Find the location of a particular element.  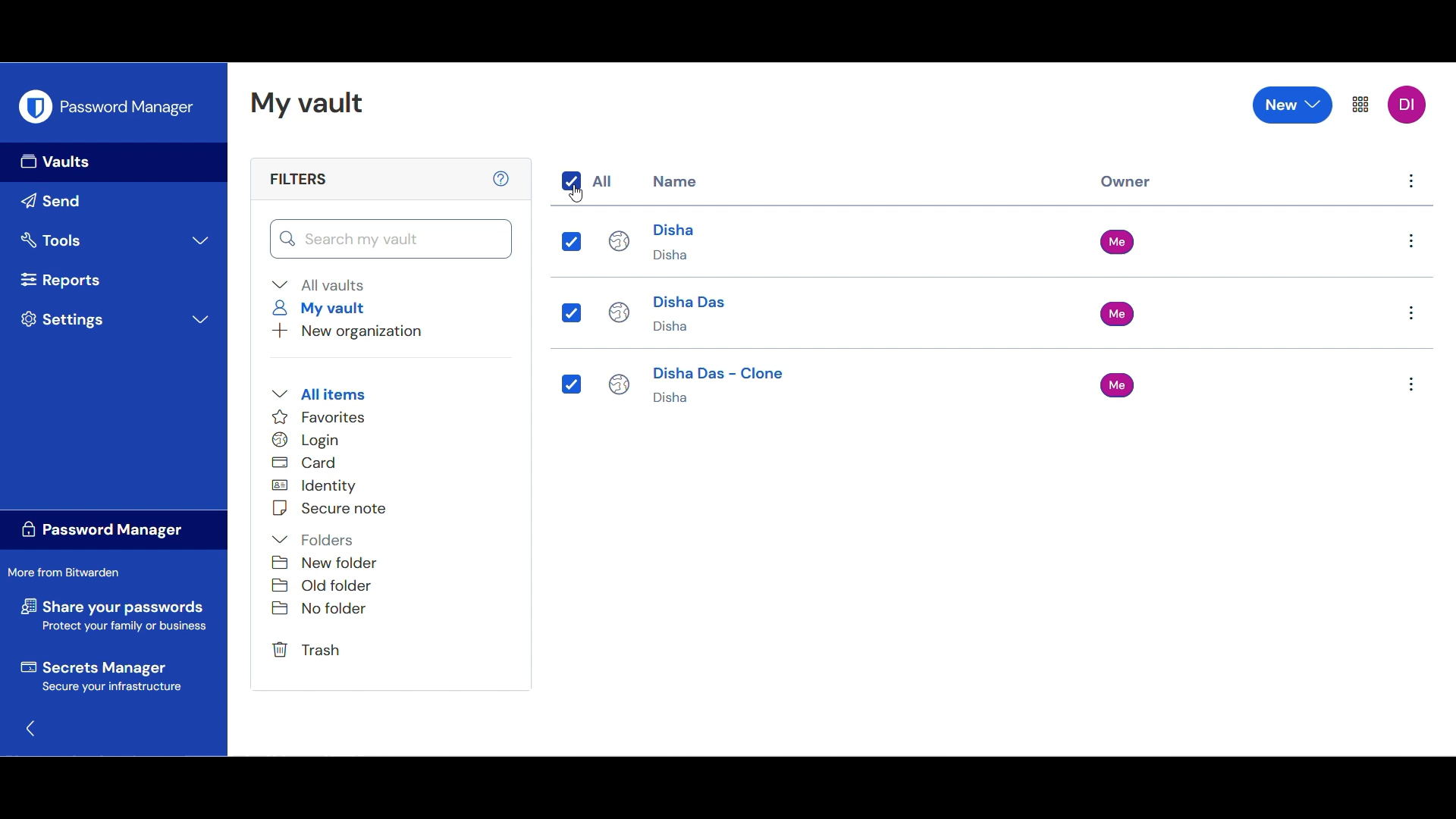

Favorites is located at coordinates (319, 417).